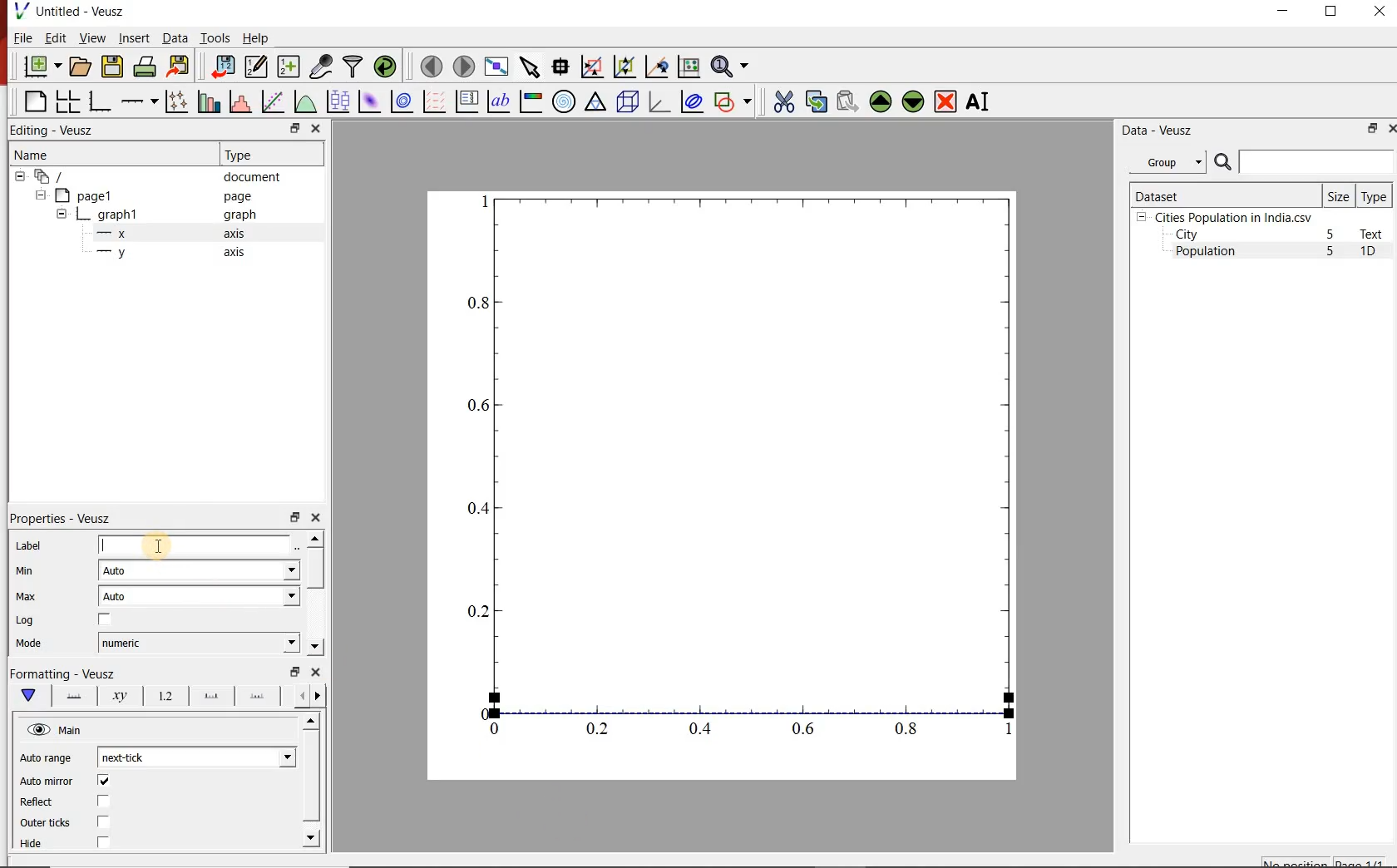  What do you see at coordinates (1378, 13) in the screenshot?
I see `CLOSE` at bounding box center [1378, 13].